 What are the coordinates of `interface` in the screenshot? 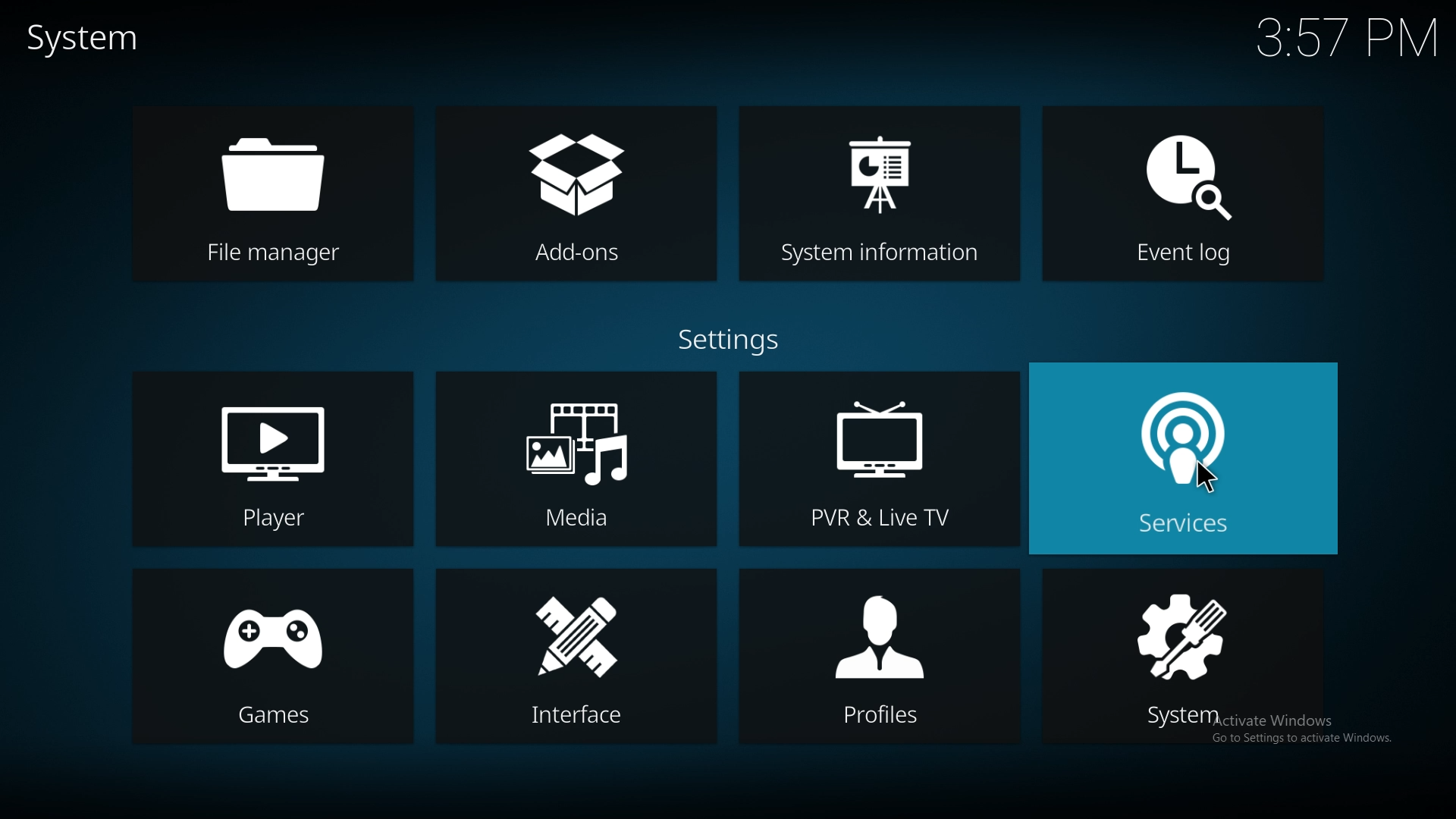 It's located at (573, 659).